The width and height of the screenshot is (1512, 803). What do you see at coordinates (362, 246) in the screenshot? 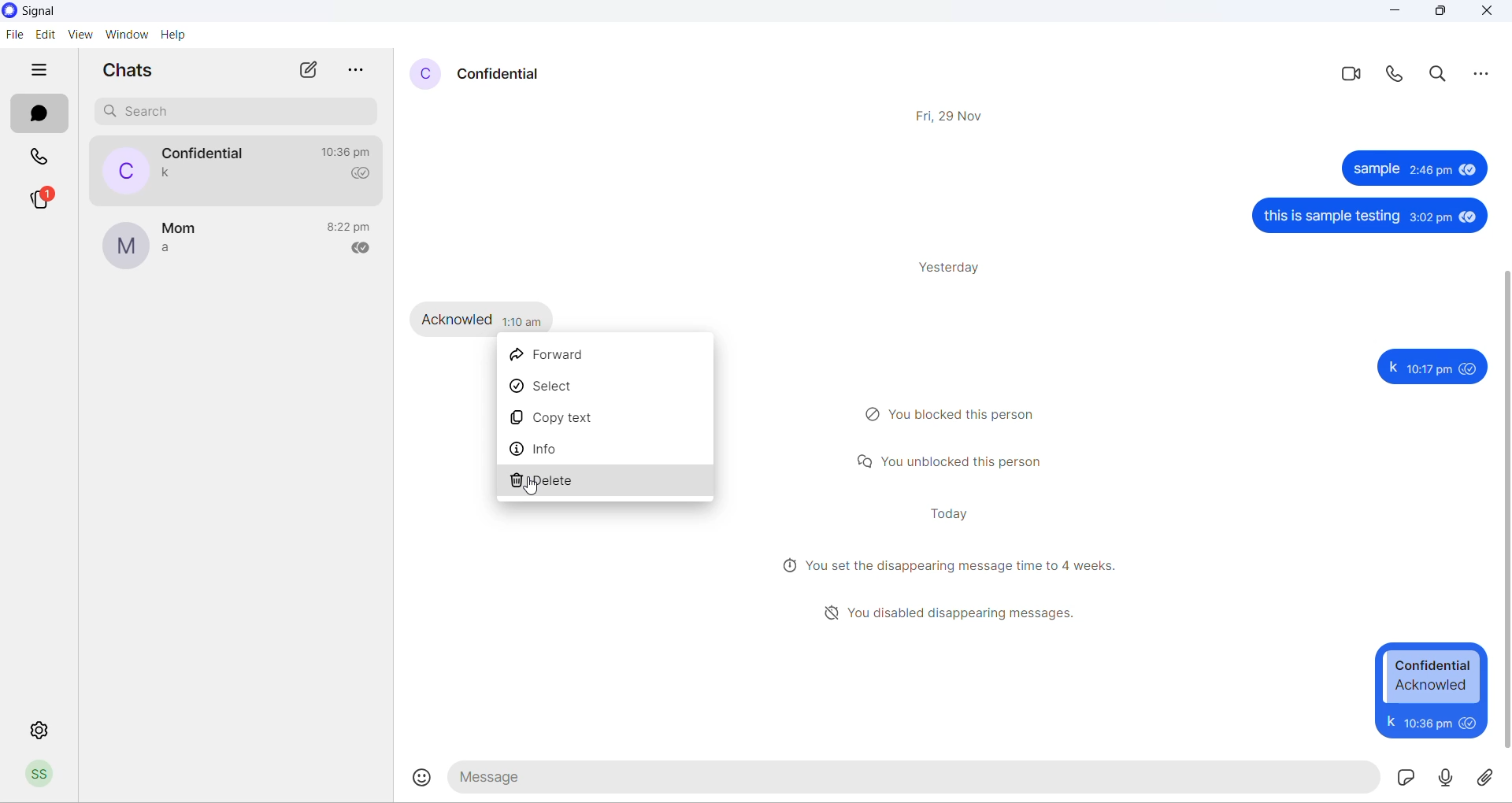
I see `read recipient` at bounding box center [362, 246].